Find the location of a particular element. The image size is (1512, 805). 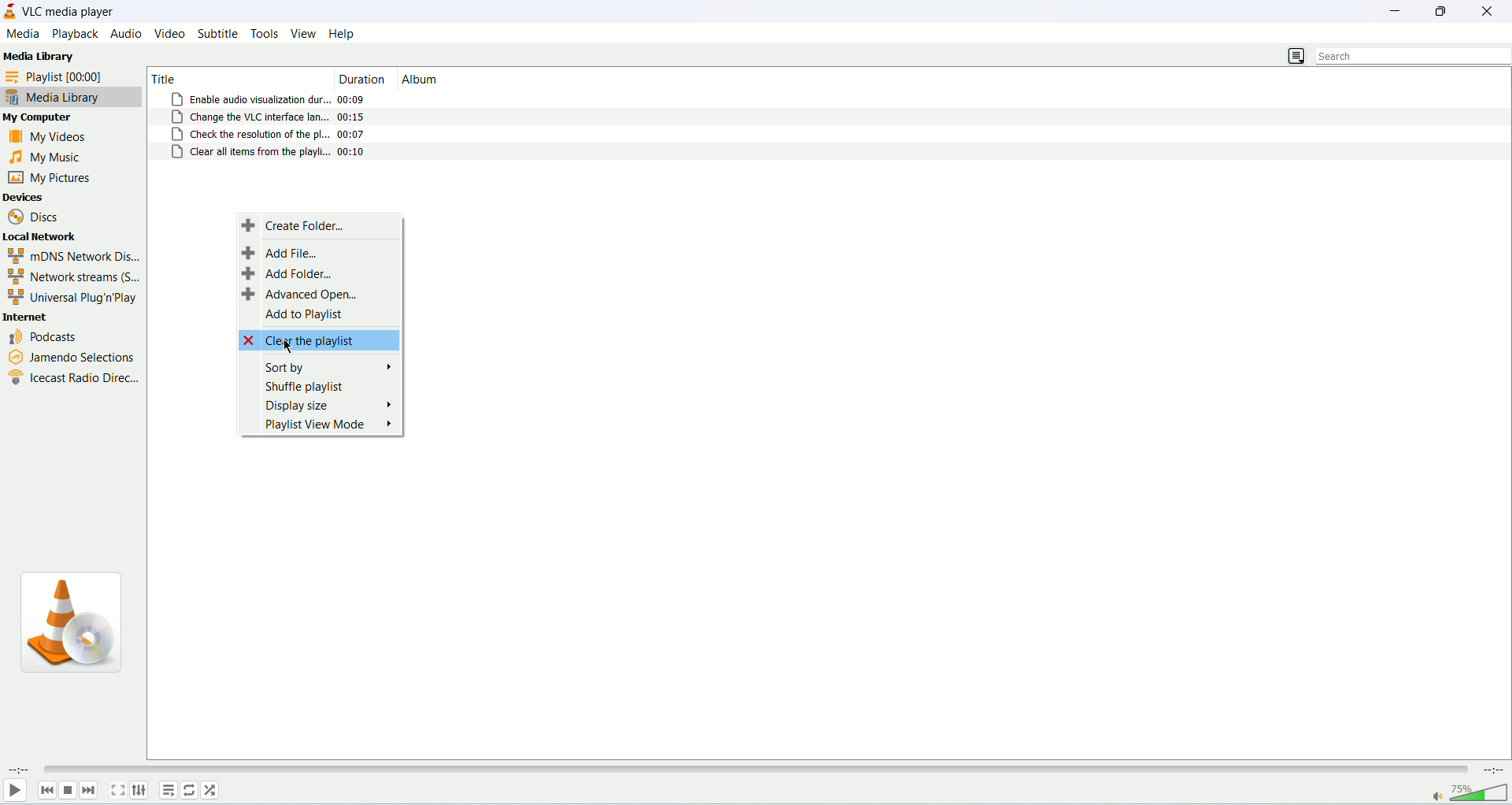

fullscreen is located at coordinates (119, 791).